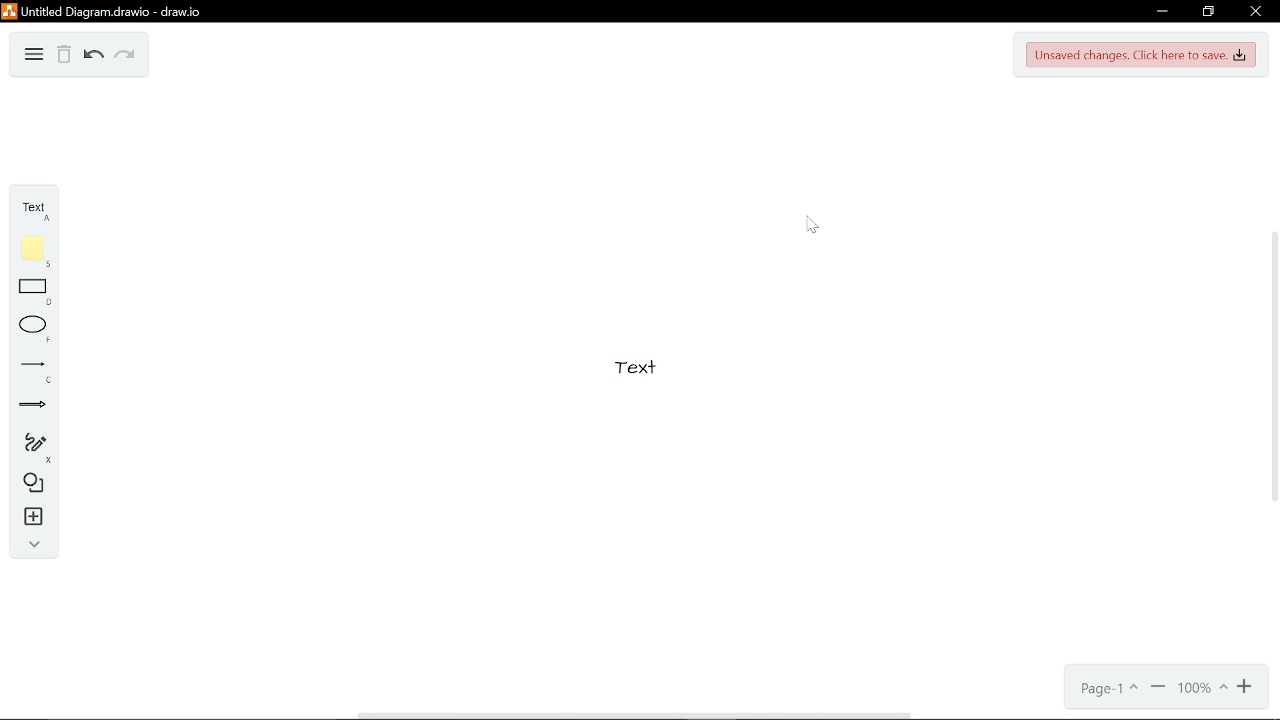 The height and width of the screenshot is (720, 1280). What do you see at coordinates (30, 330) in the screenshot?
I see `Ellipse` at bounding box center [30, 330].